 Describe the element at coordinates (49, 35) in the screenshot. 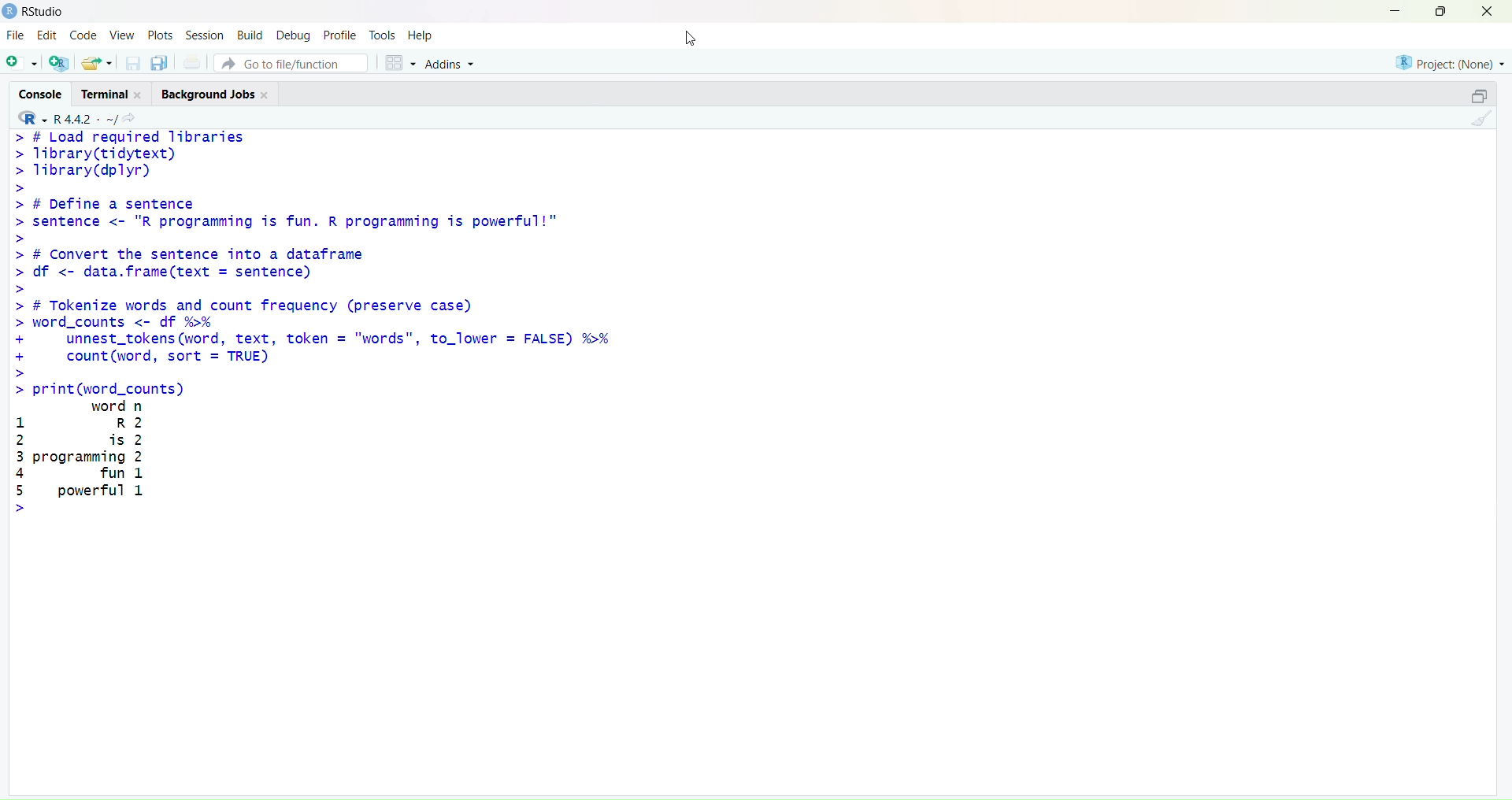

I see `Edit` at that location.